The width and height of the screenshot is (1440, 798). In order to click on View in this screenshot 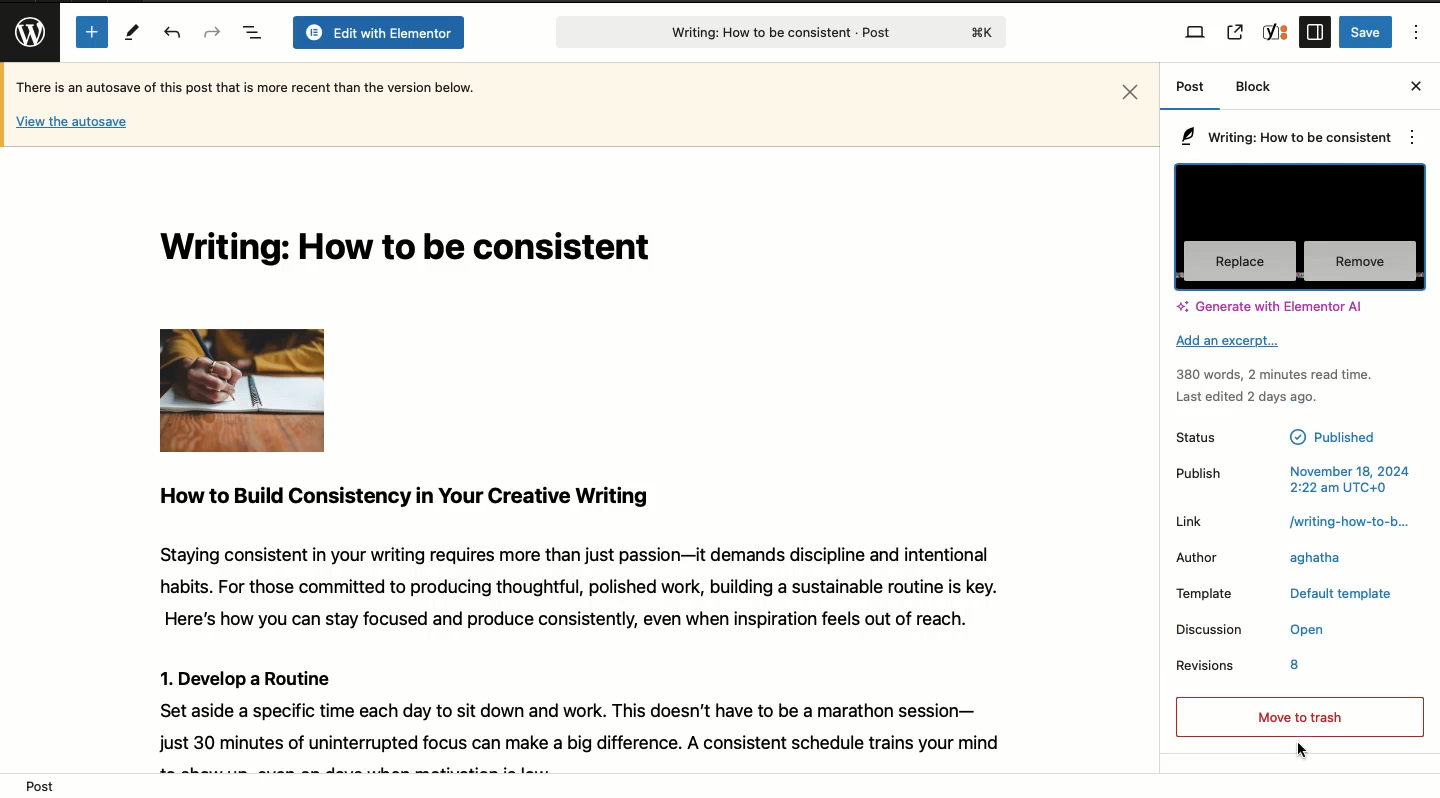, I will do `click(1197, 32)`.